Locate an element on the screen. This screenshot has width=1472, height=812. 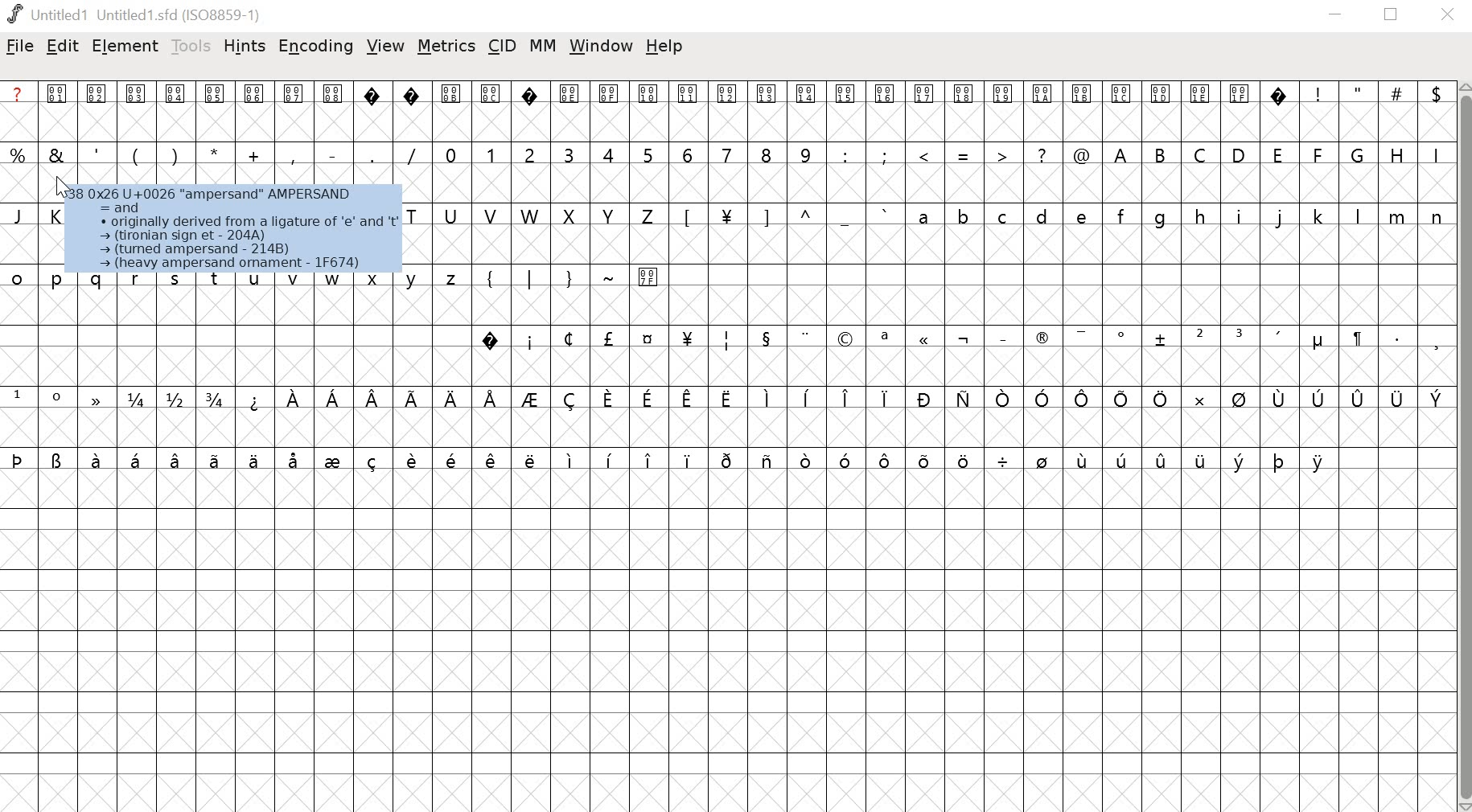
. is located at coordinates (371, 154).